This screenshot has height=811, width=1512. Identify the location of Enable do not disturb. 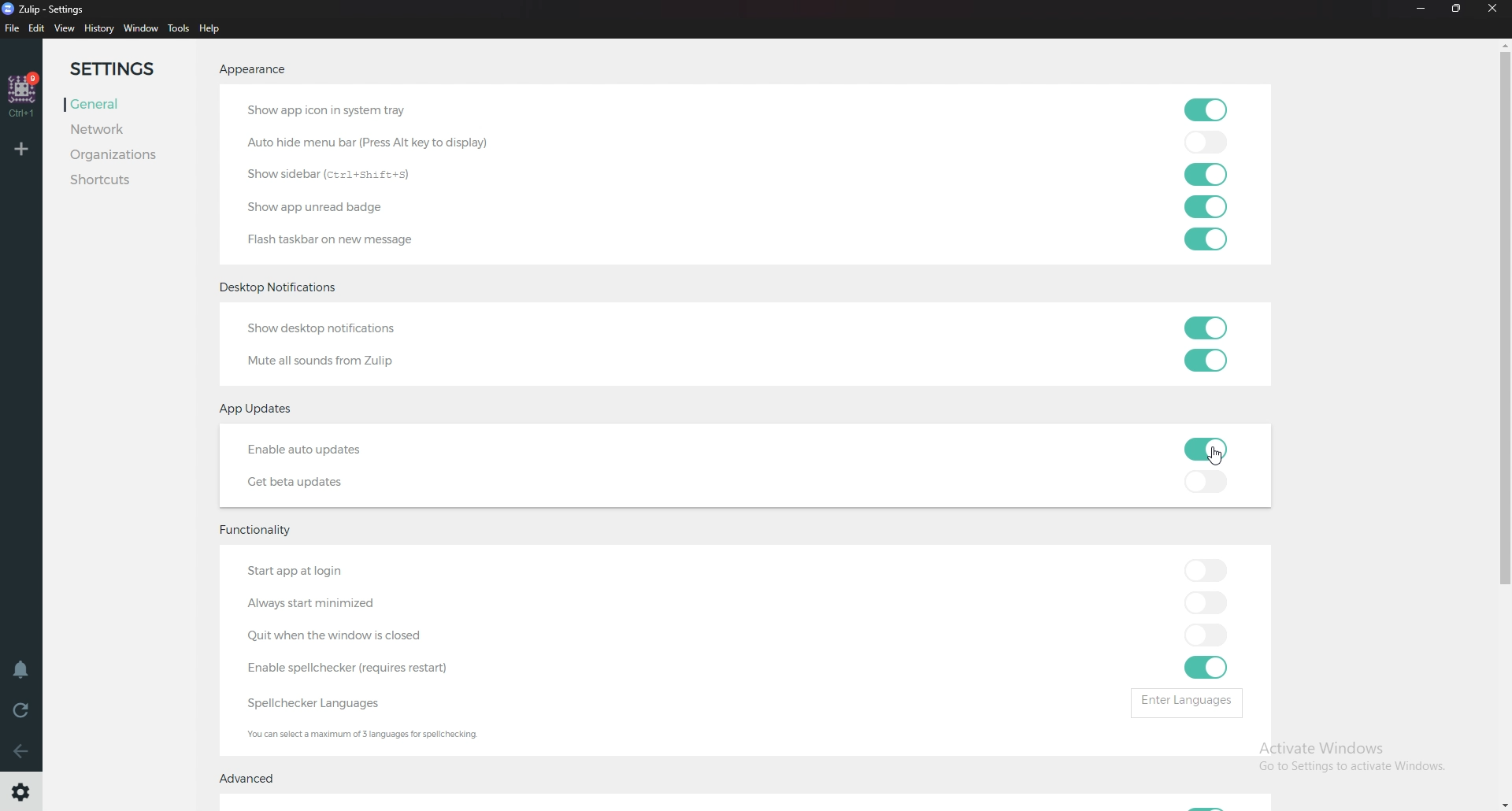
(21, 668).